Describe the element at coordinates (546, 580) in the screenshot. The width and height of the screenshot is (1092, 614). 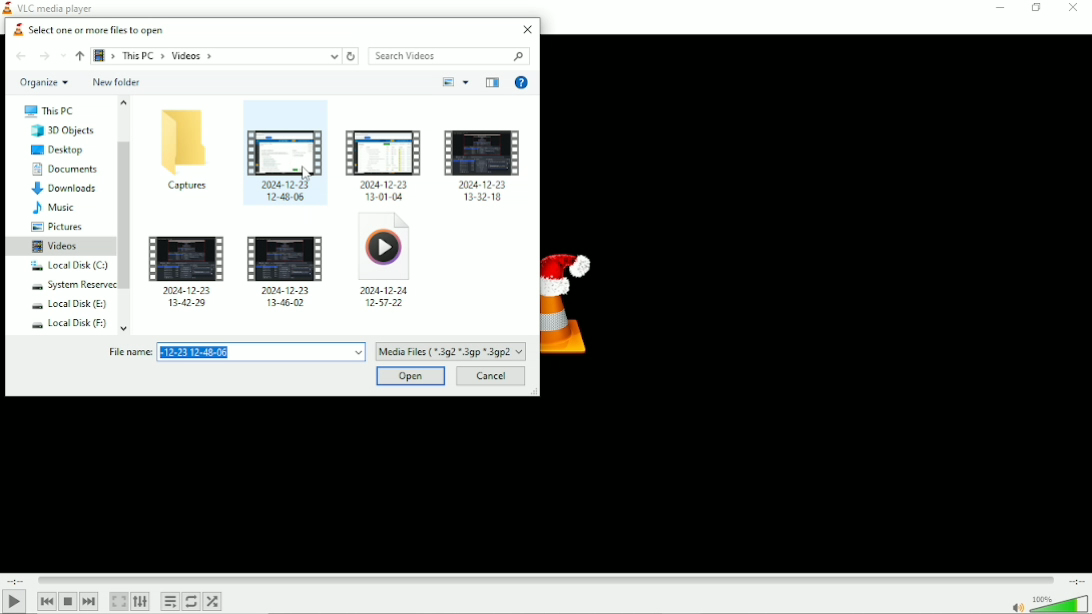
I see `Play duration` at that location.